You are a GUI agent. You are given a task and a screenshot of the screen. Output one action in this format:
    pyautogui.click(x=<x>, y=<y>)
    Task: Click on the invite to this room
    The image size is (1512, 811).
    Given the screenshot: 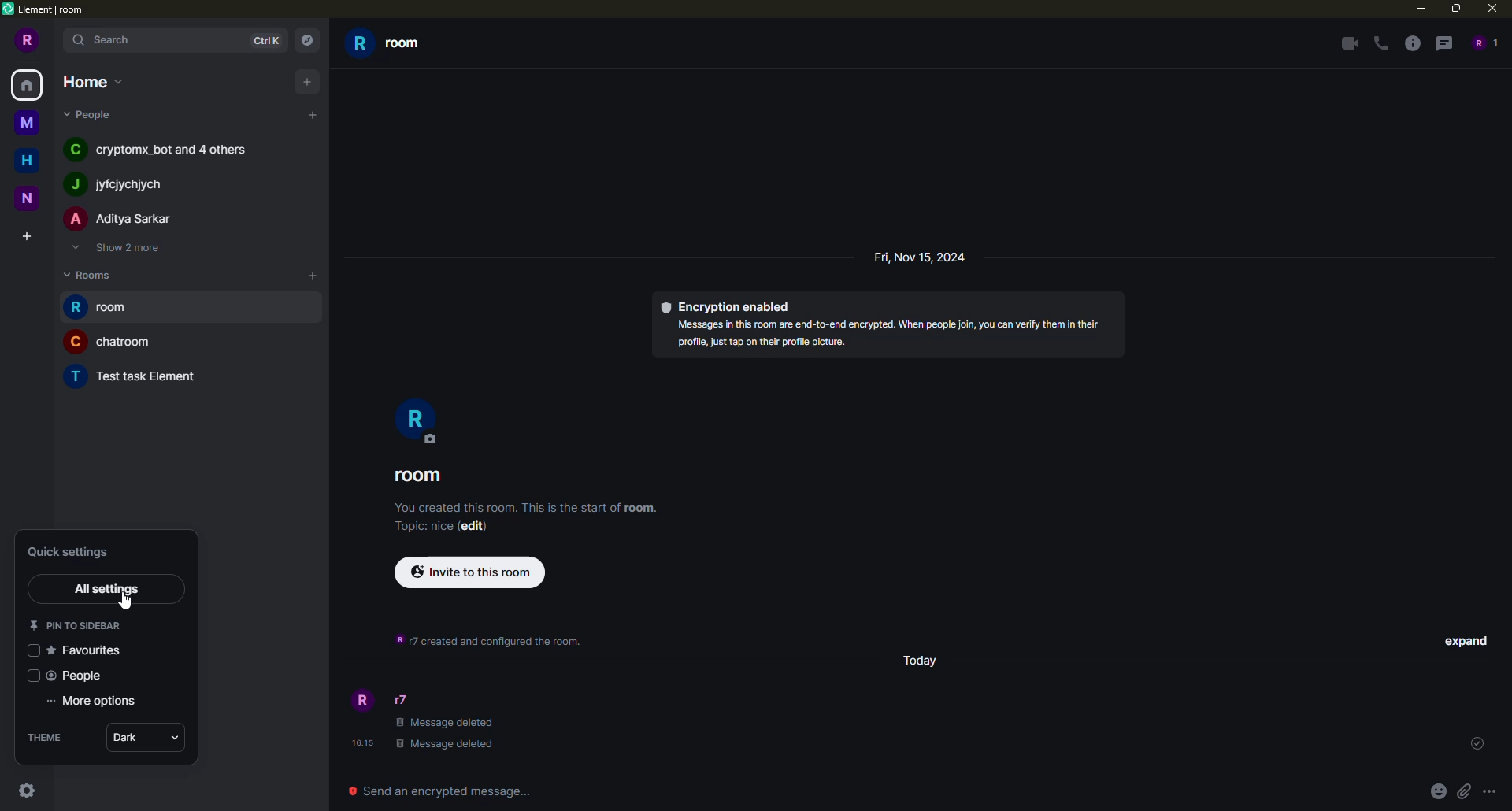 What is the action you would take?
    pyautogui.click(x=471, y=571)
    